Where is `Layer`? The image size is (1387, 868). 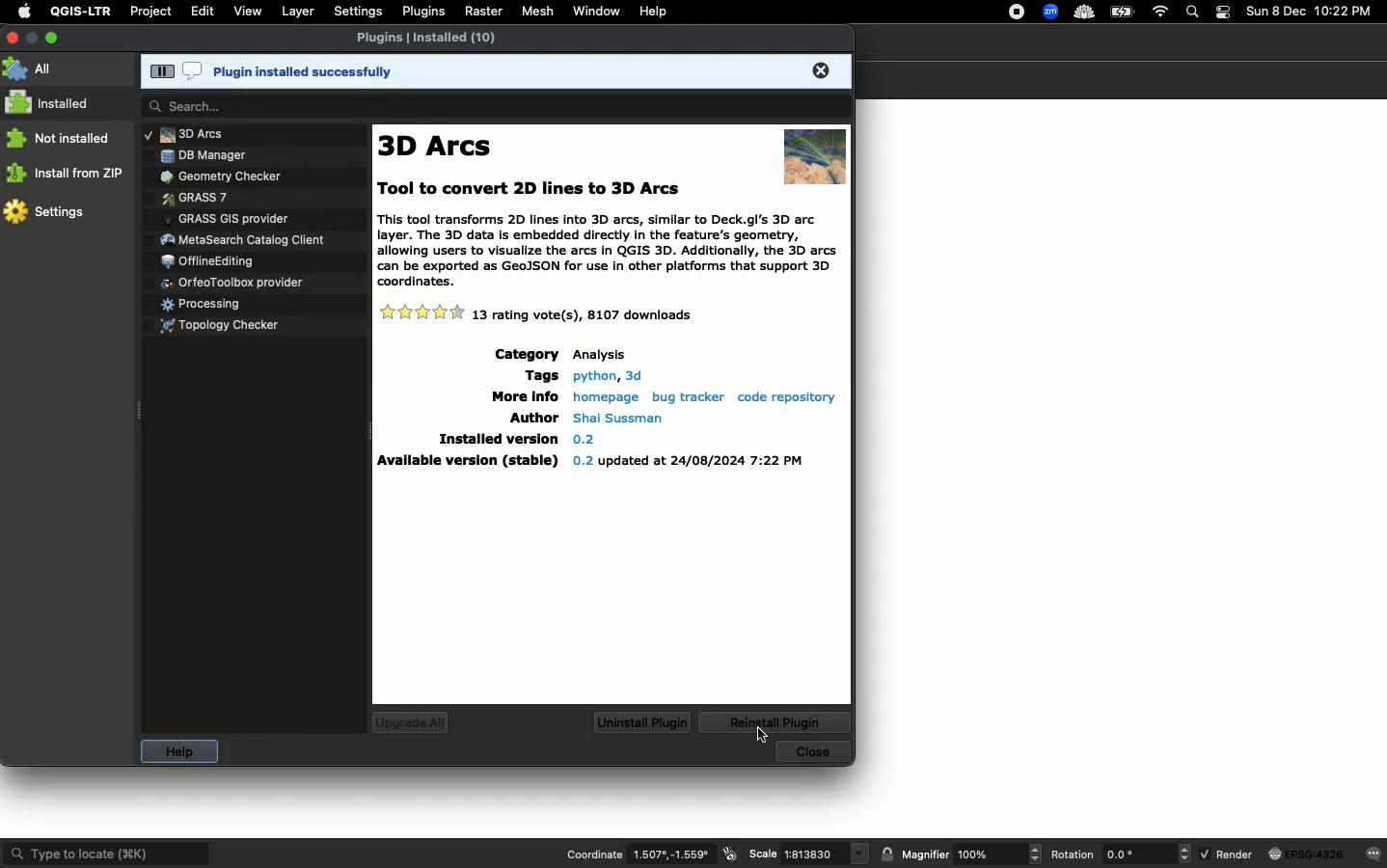 Layer is located at coordinates (295, 12).